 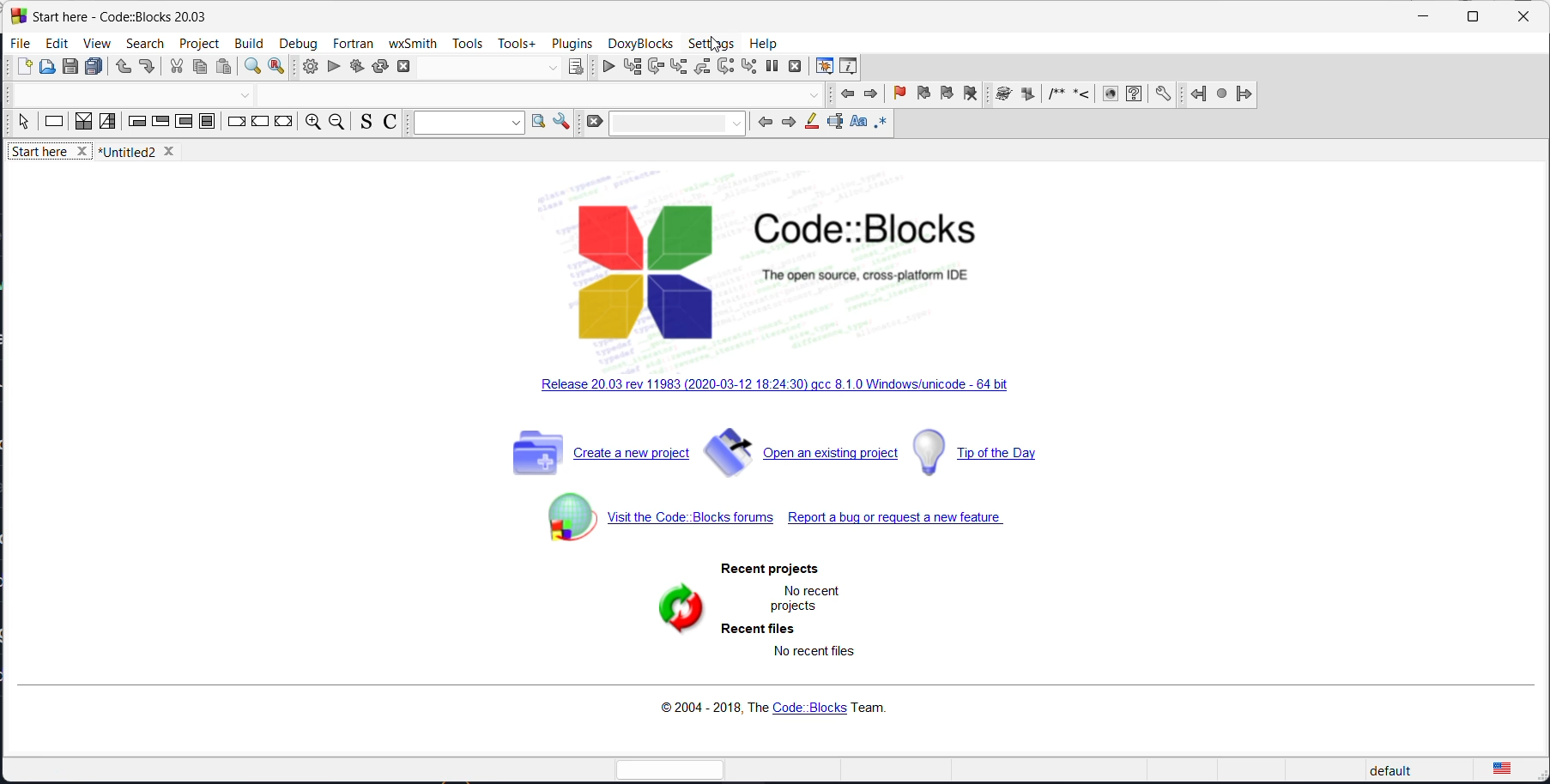 I want to click on help, so click(x=764, y=41).